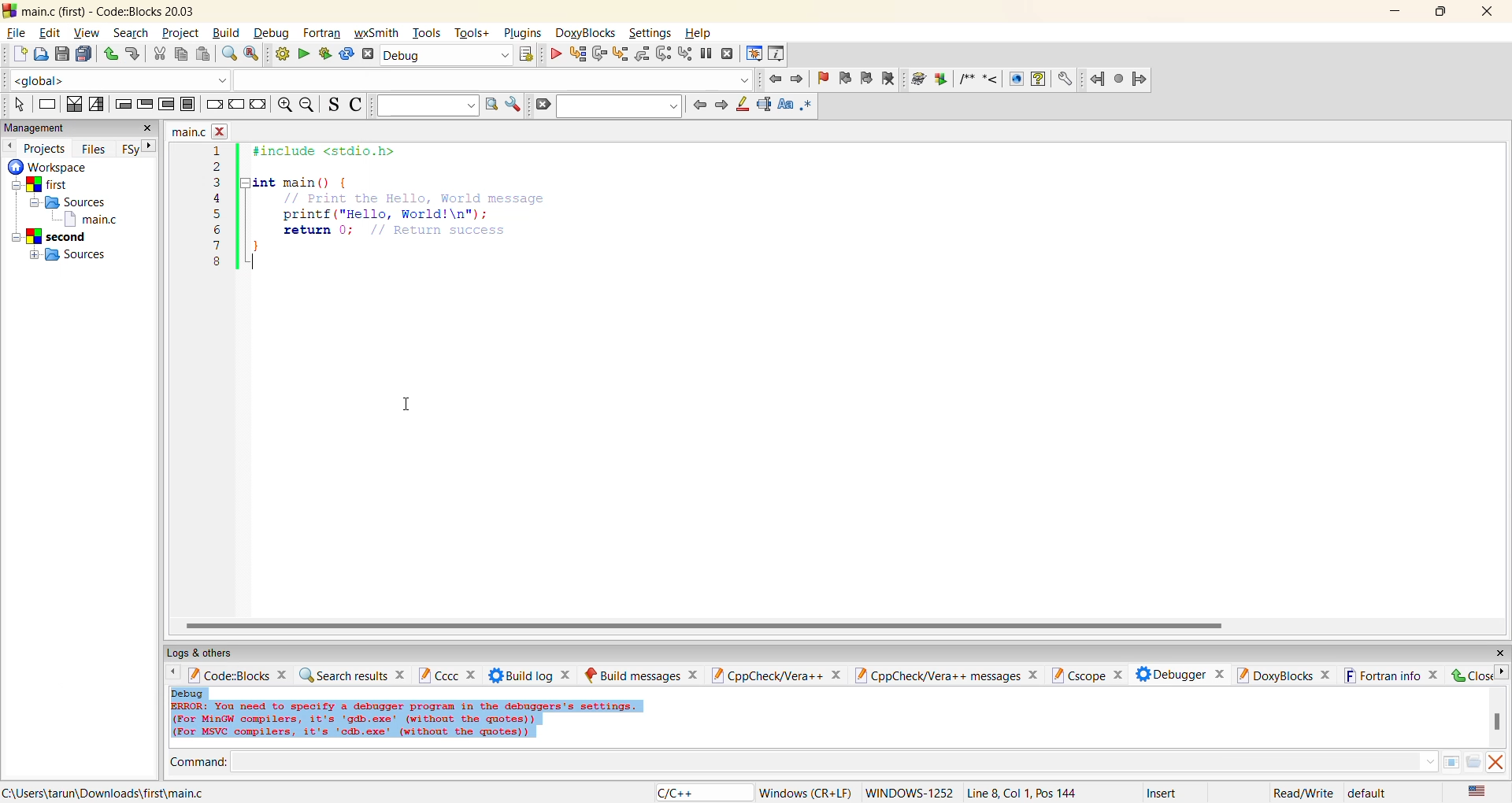 The height and width of the screenshot is (803, 1512). I want to click on match case, so click(784, 105).